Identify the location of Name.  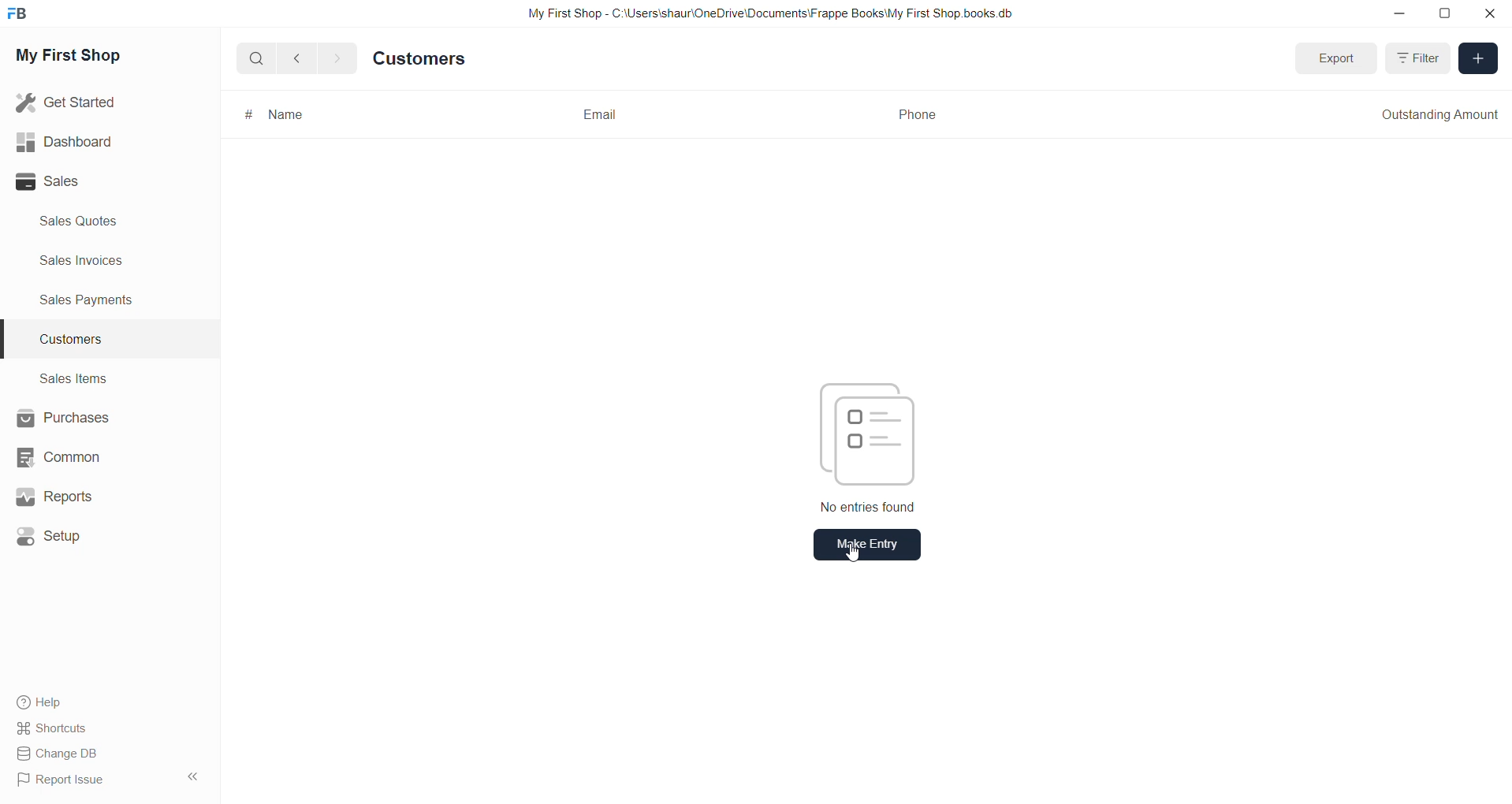
(288, 117).